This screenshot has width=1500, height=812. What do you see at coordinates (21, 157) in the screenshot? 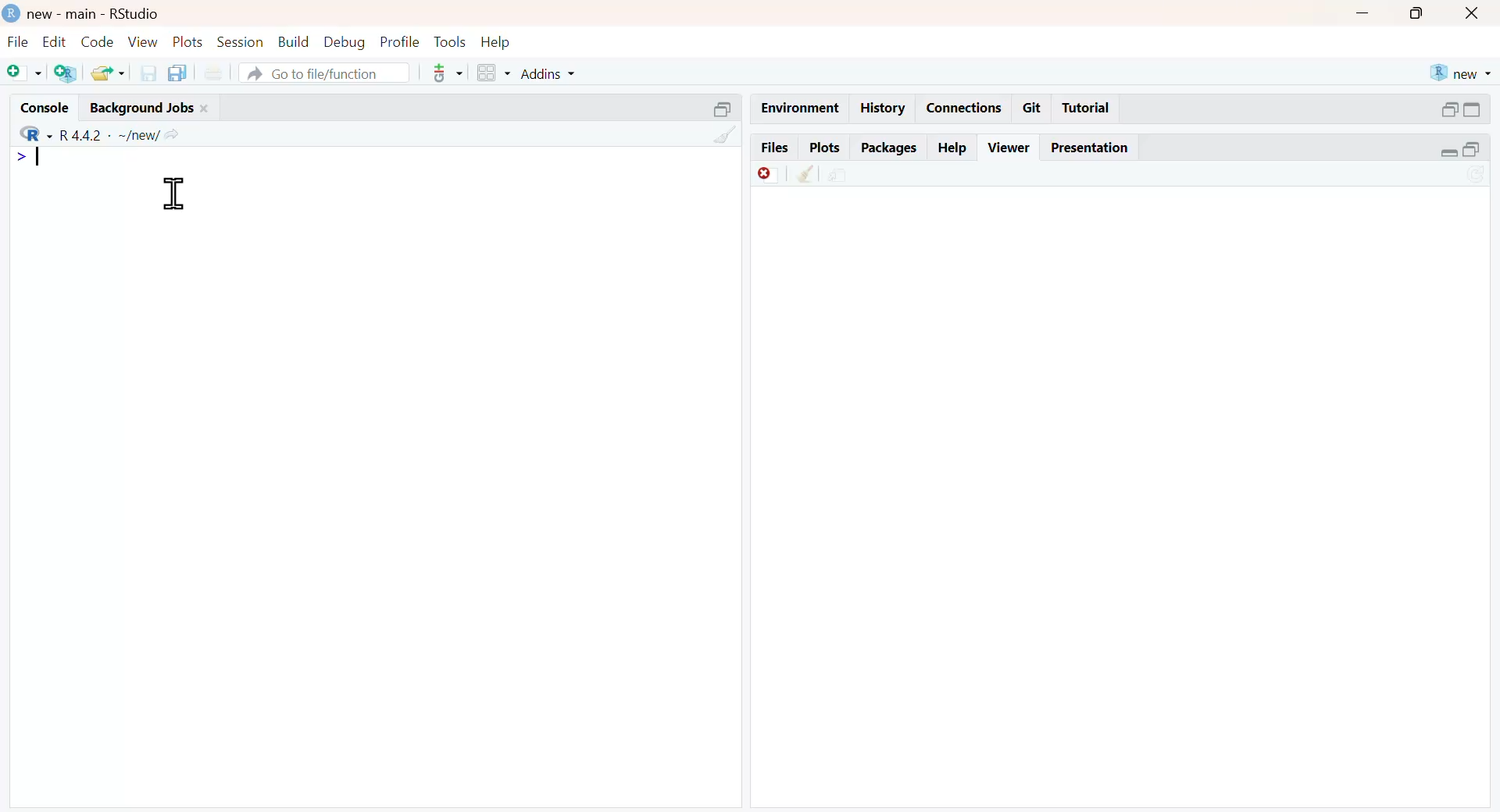
I see `>` at bounding box center [21, 157].